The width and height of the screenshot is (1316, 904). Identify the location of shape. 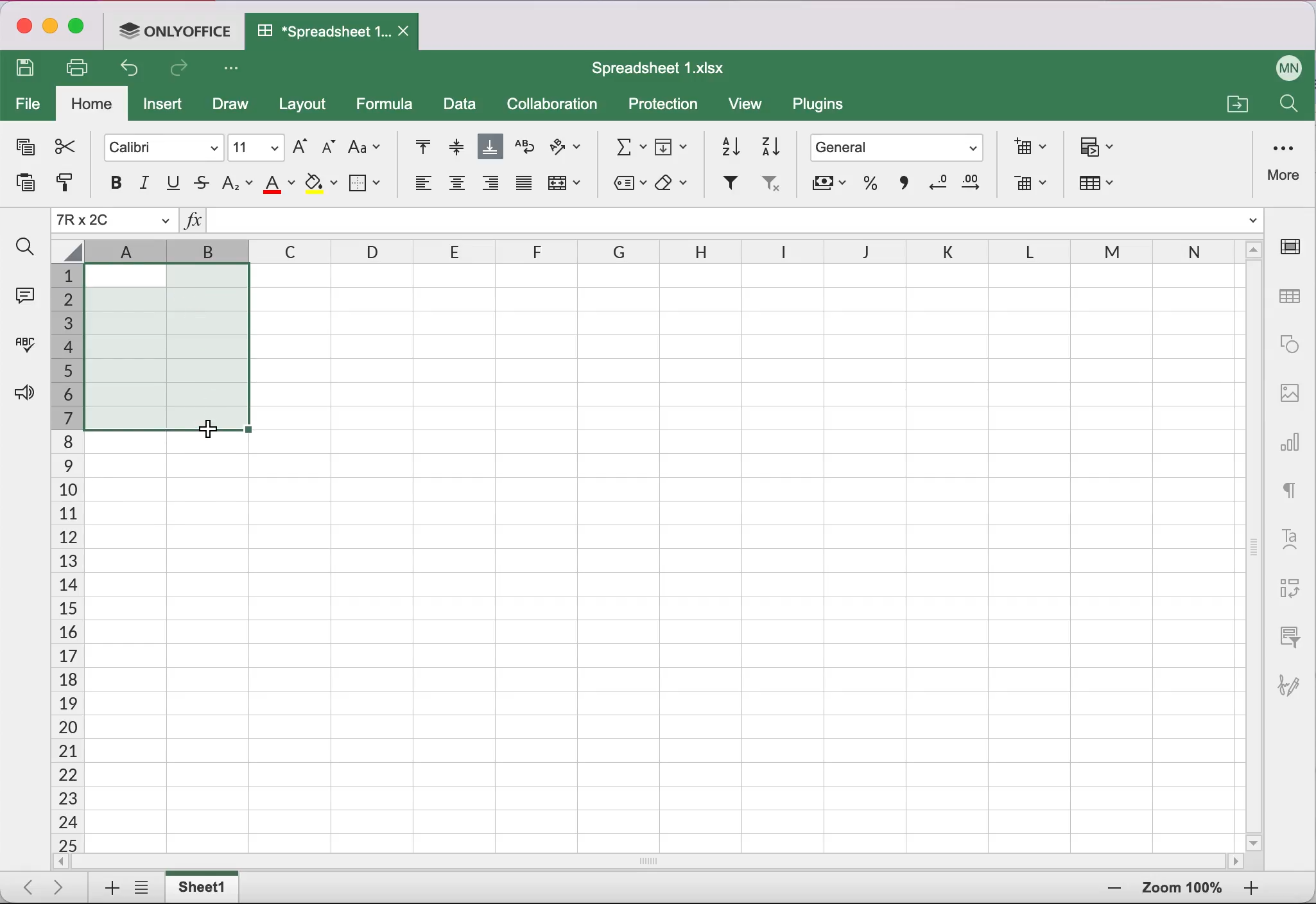
(1290, 344).